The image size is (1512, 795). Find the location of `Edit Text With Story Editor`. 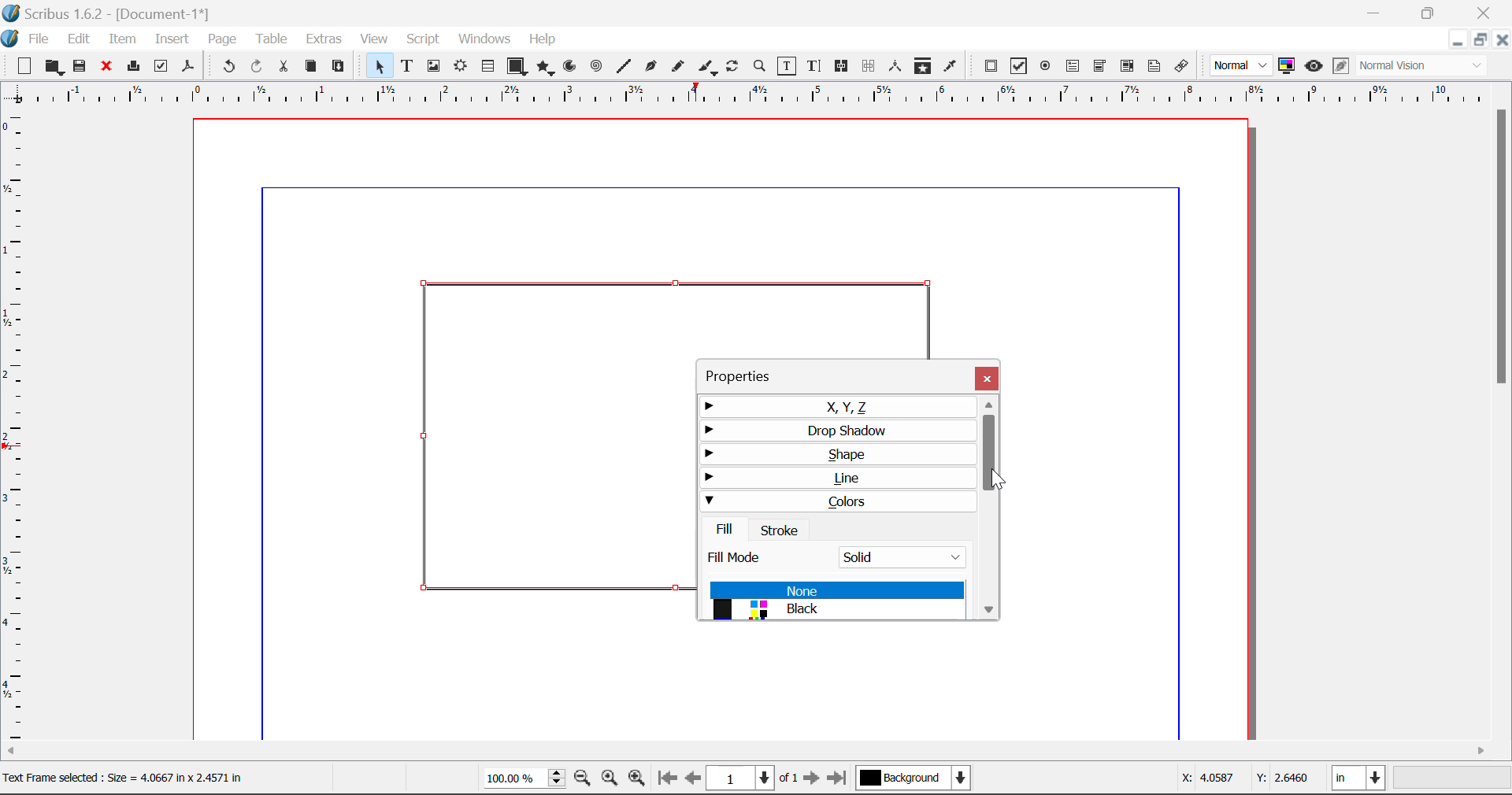

Edit Text With Story Editor is located at coordinates (813, 67).